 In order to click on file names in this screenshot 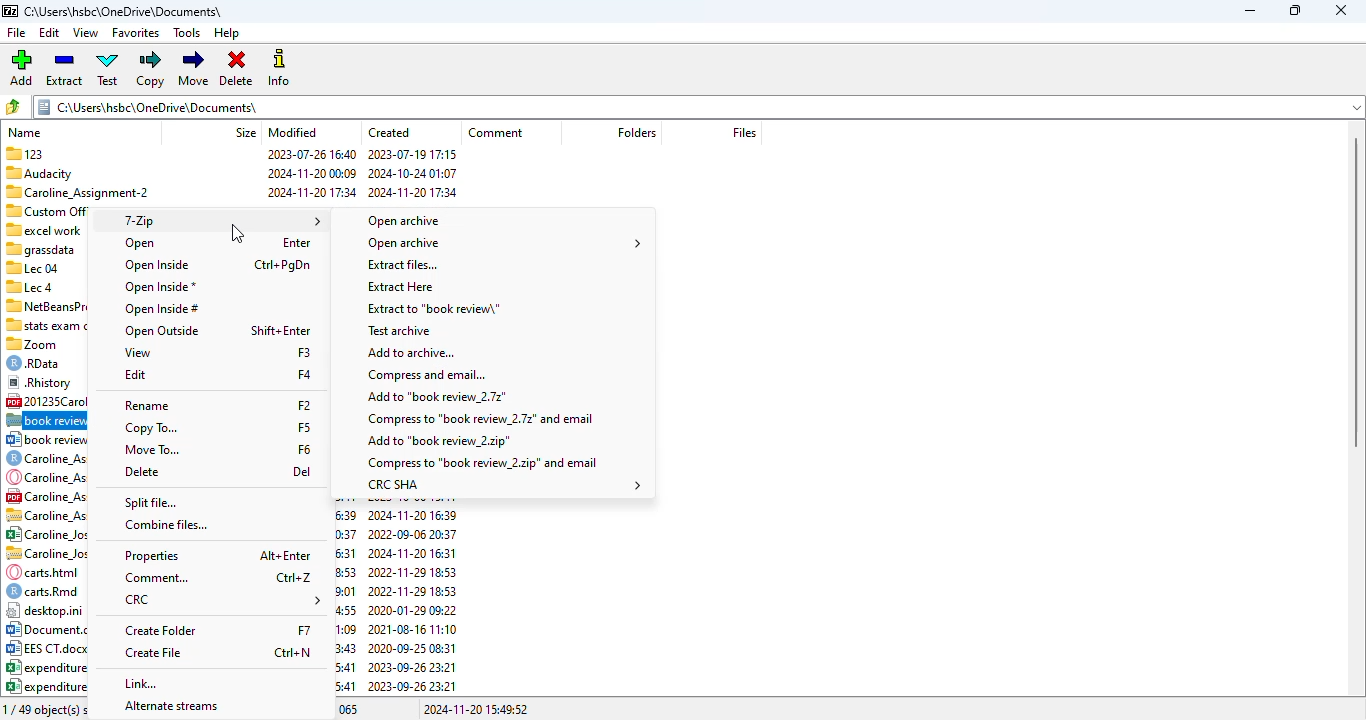, I will do `click(45, 564)`.